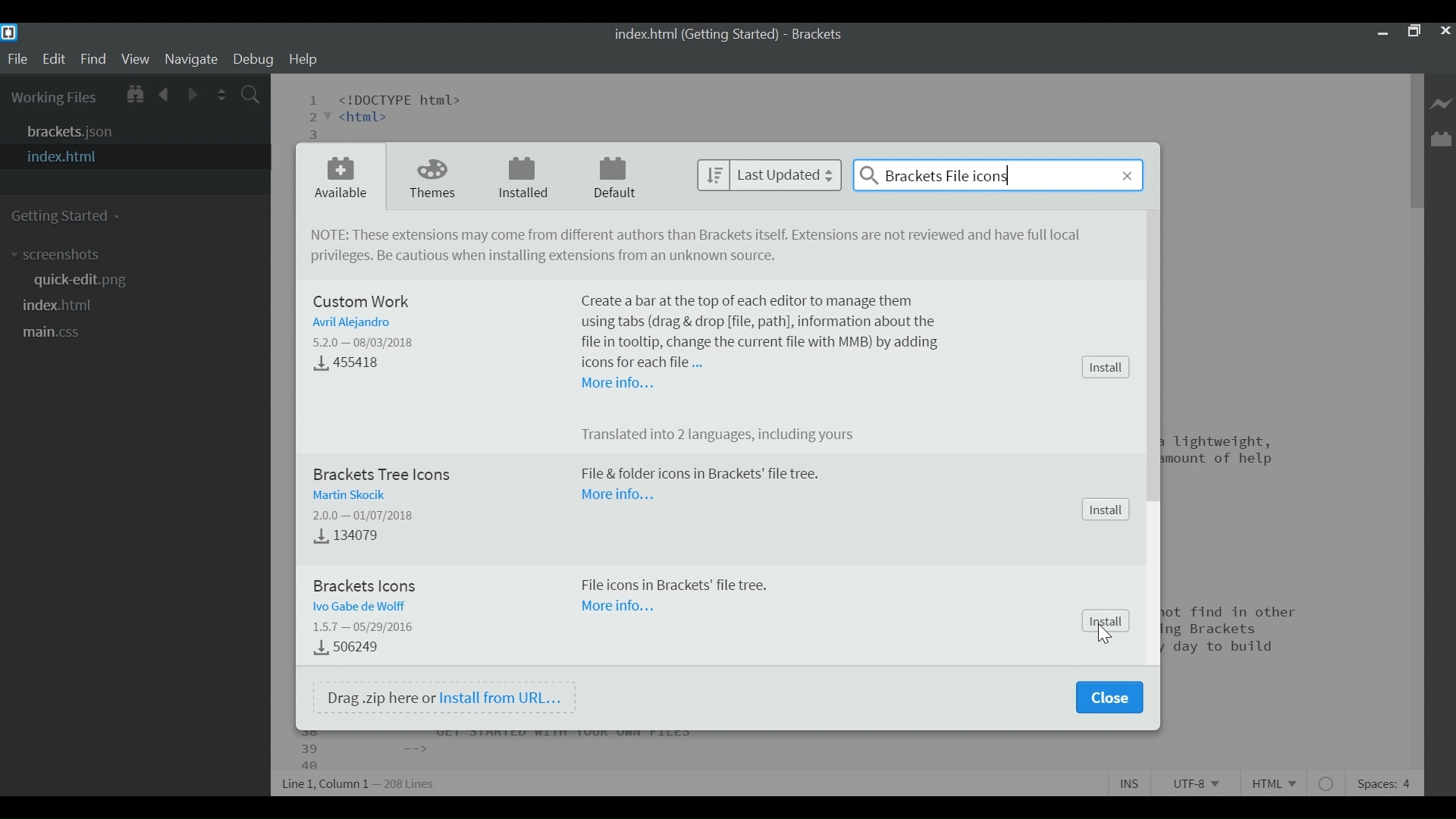 The image size is (1456, 819). What do you see at coordinates (367, 342) in the screenshot?
I see `Version - Released Date` at bounding box center [367, 342].